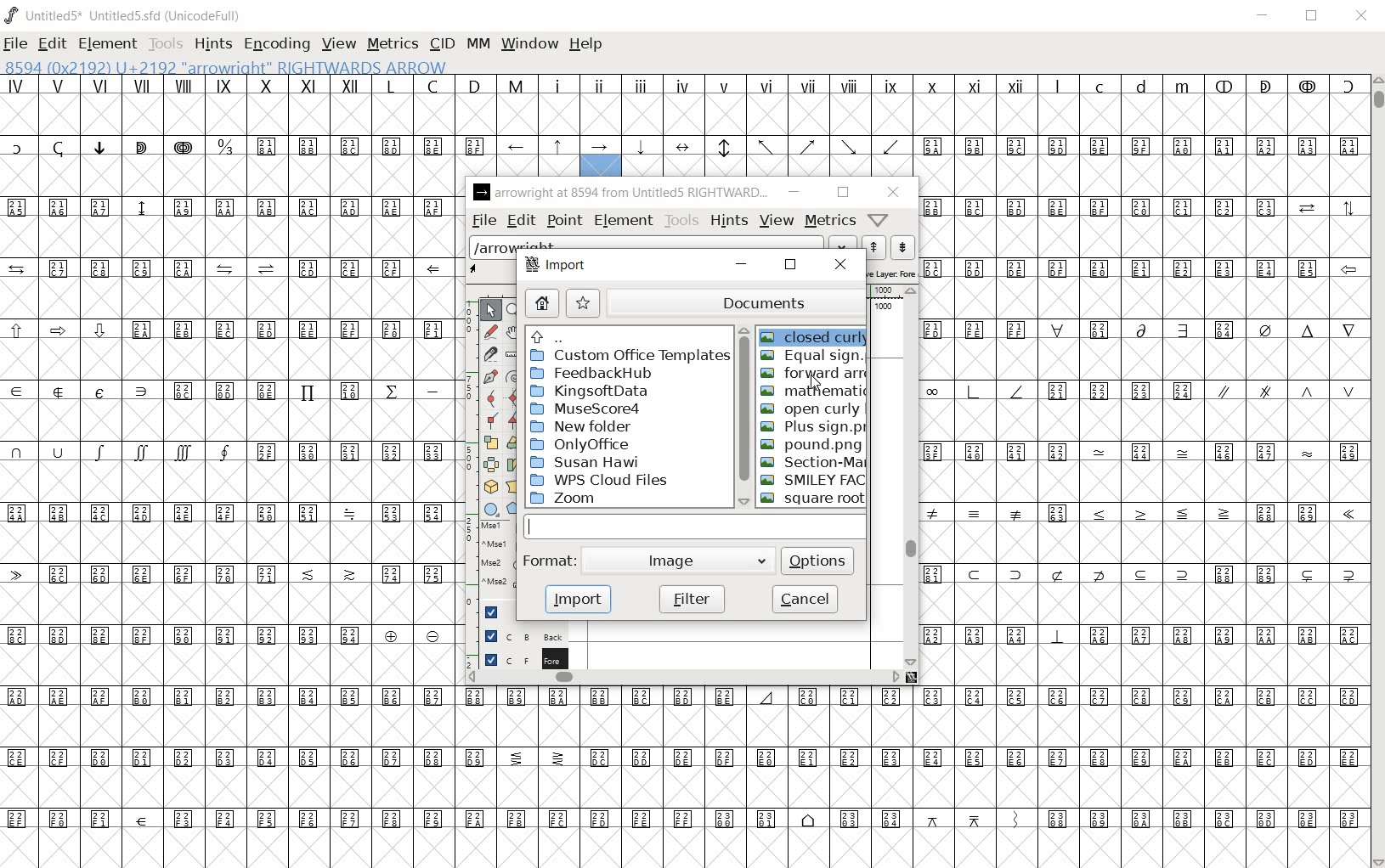 The height and width of the screenshot is (868, 1385). Describe the element at coordinates (840, 193) in the screenshot. I see `restore` at that location.